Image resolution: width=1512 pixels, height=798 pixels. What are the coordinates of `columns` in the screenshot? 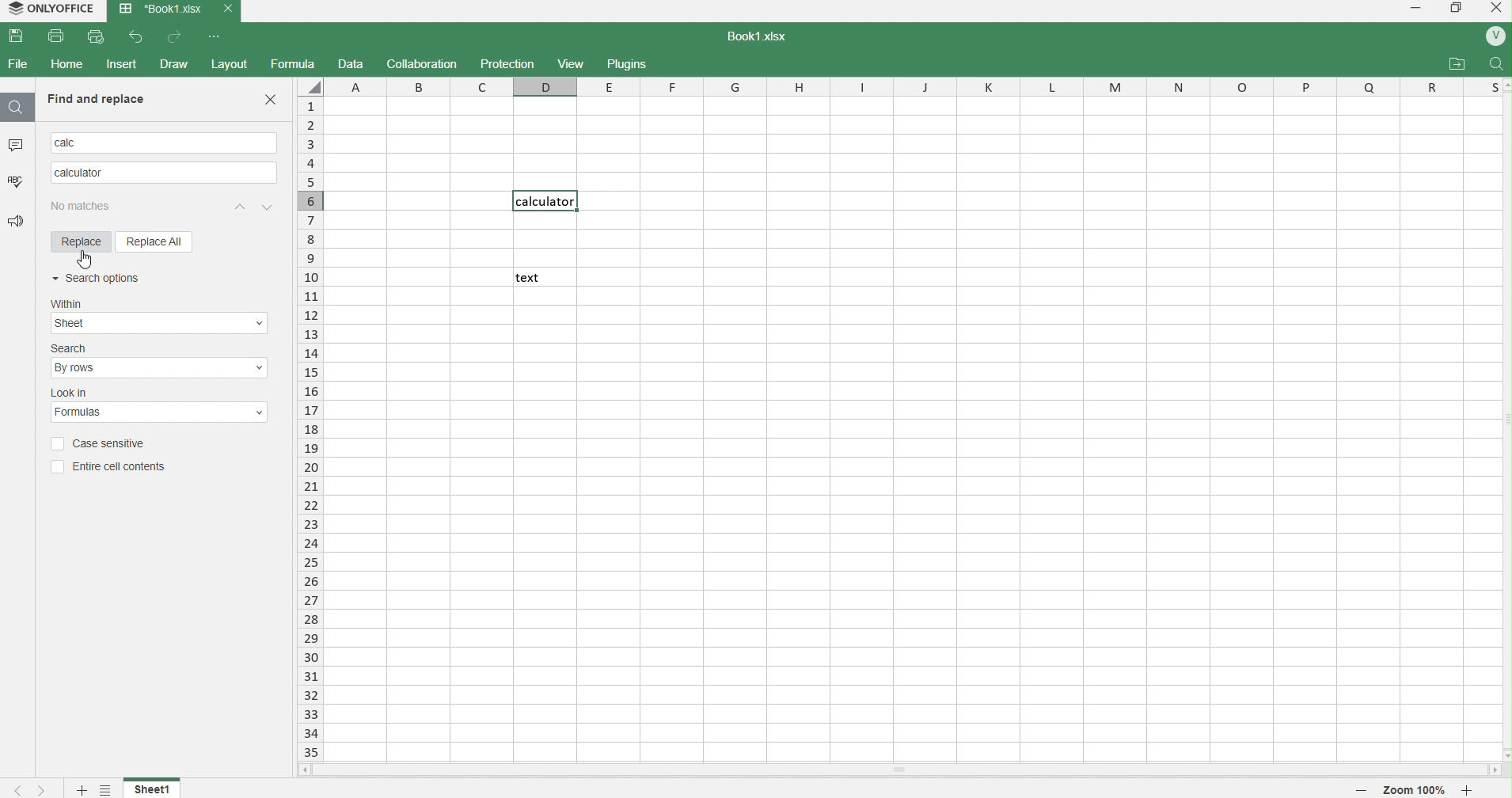 It's located at (915, 86).